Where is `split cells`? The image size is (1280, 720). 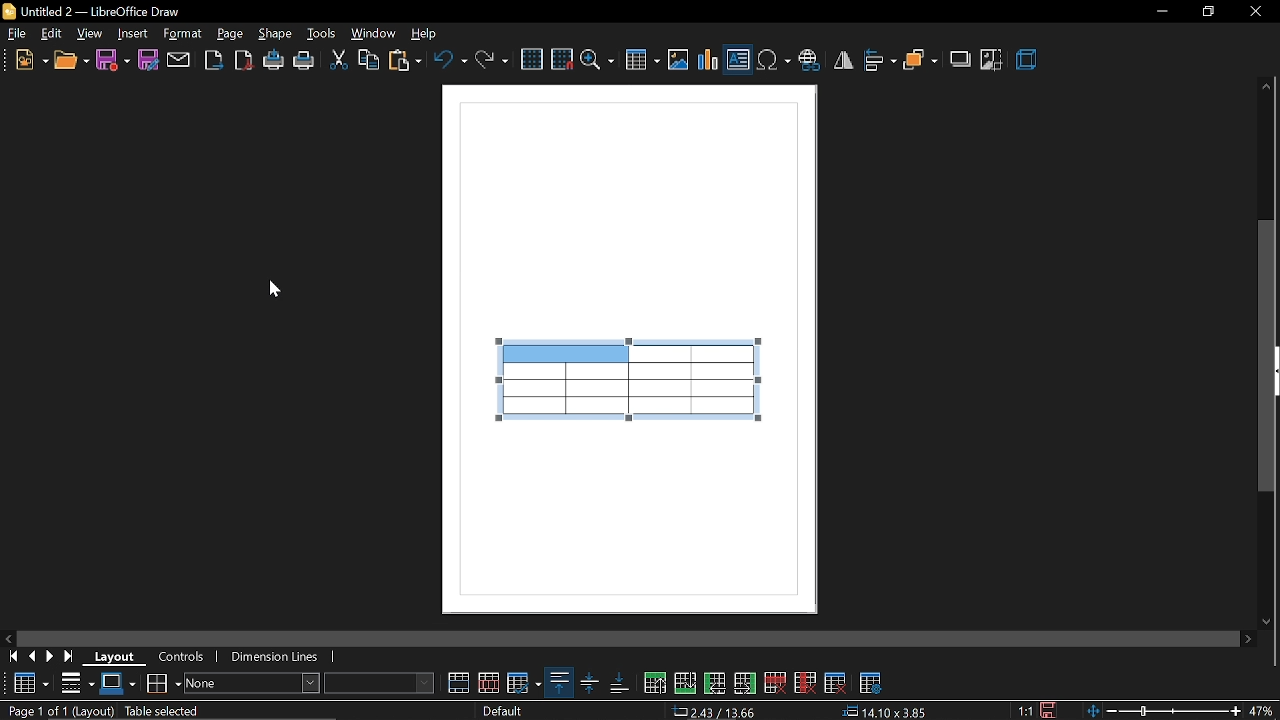 split cells is located at coordinates (490, 683).